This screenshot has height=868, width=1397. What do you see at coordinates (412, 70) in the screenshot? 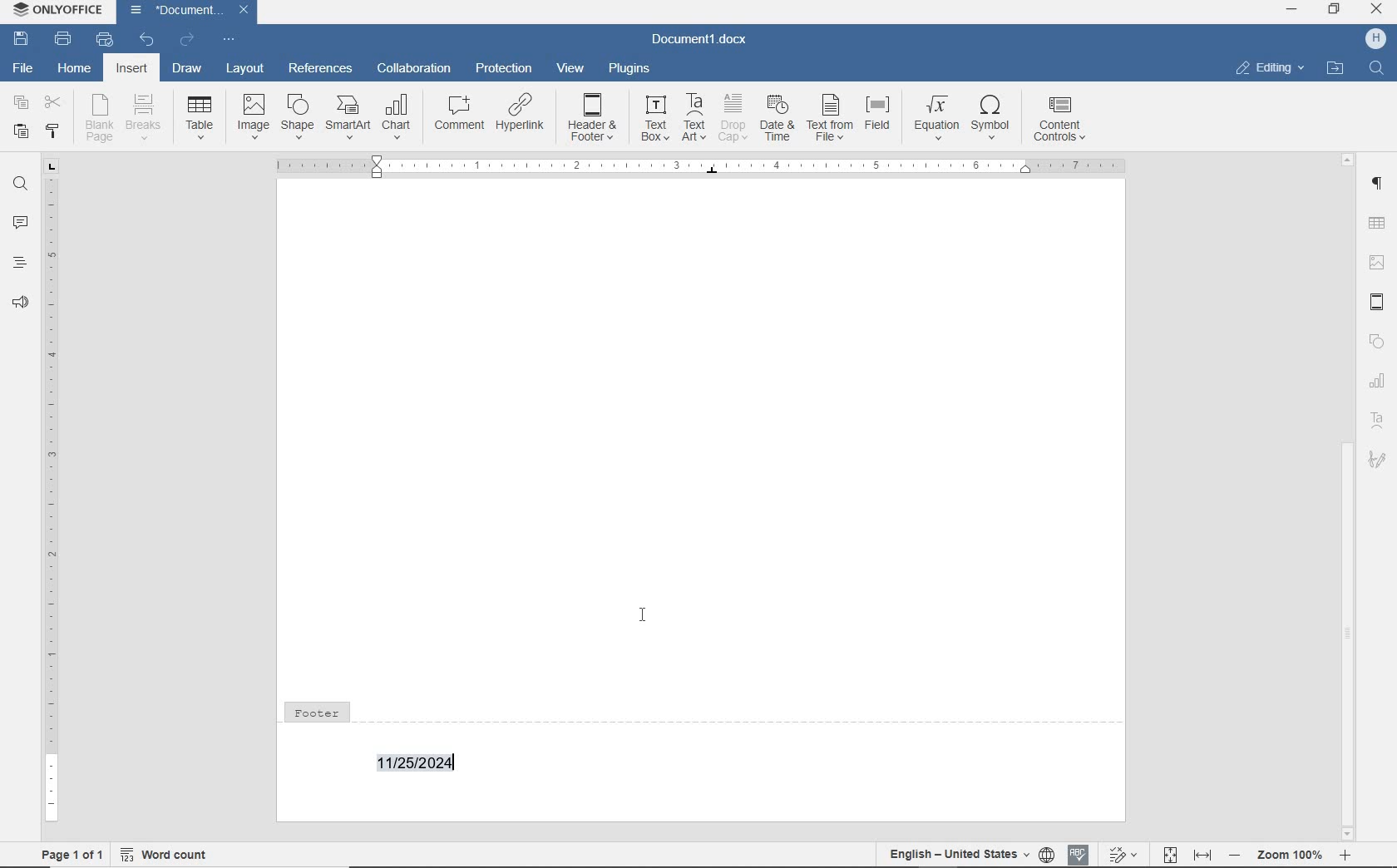
I see `collaboration` at bounding box center [412, 70].